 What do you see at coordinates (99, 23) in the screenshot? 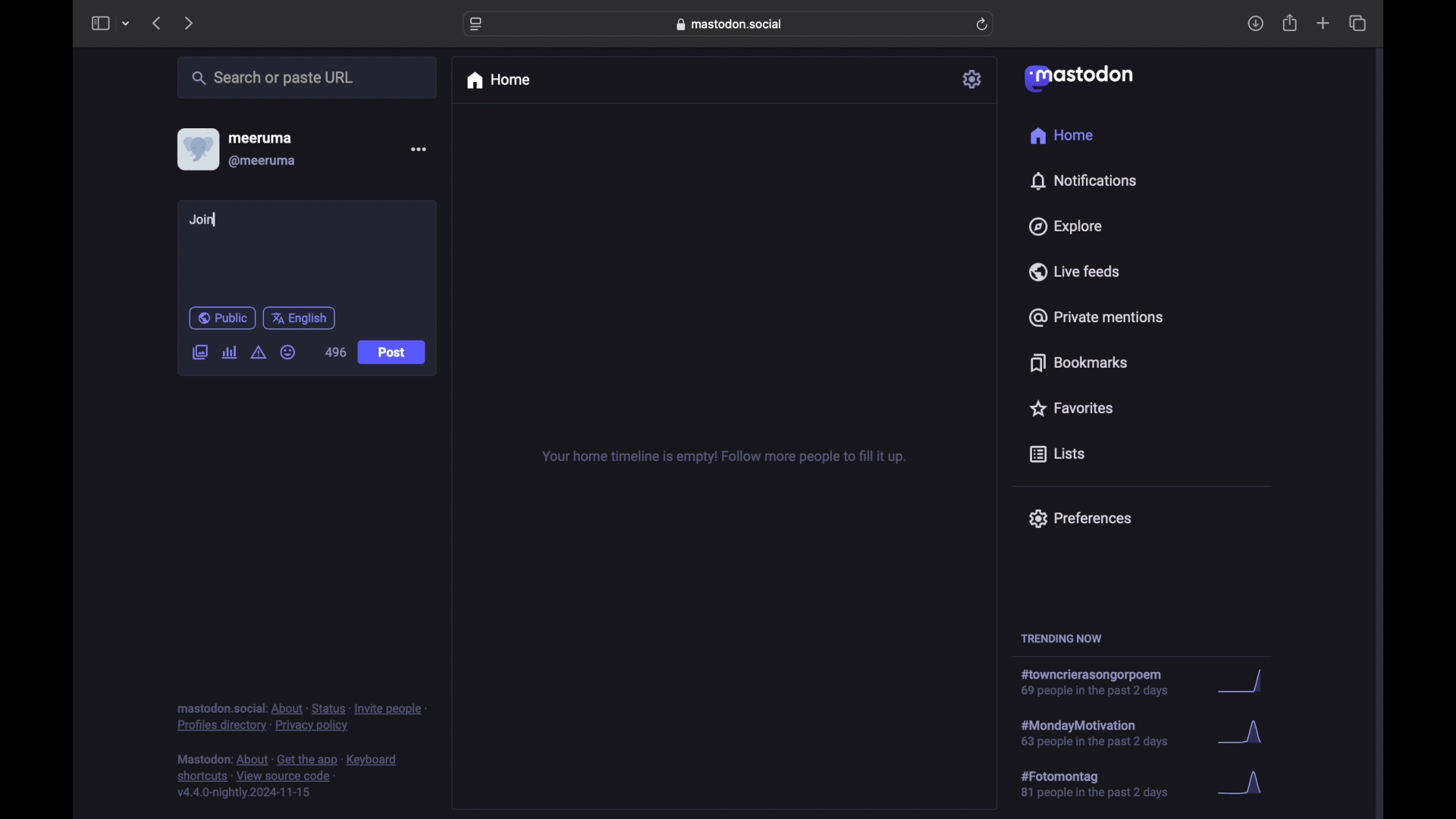
I see `sidebar` at bounding box center [99, 23].